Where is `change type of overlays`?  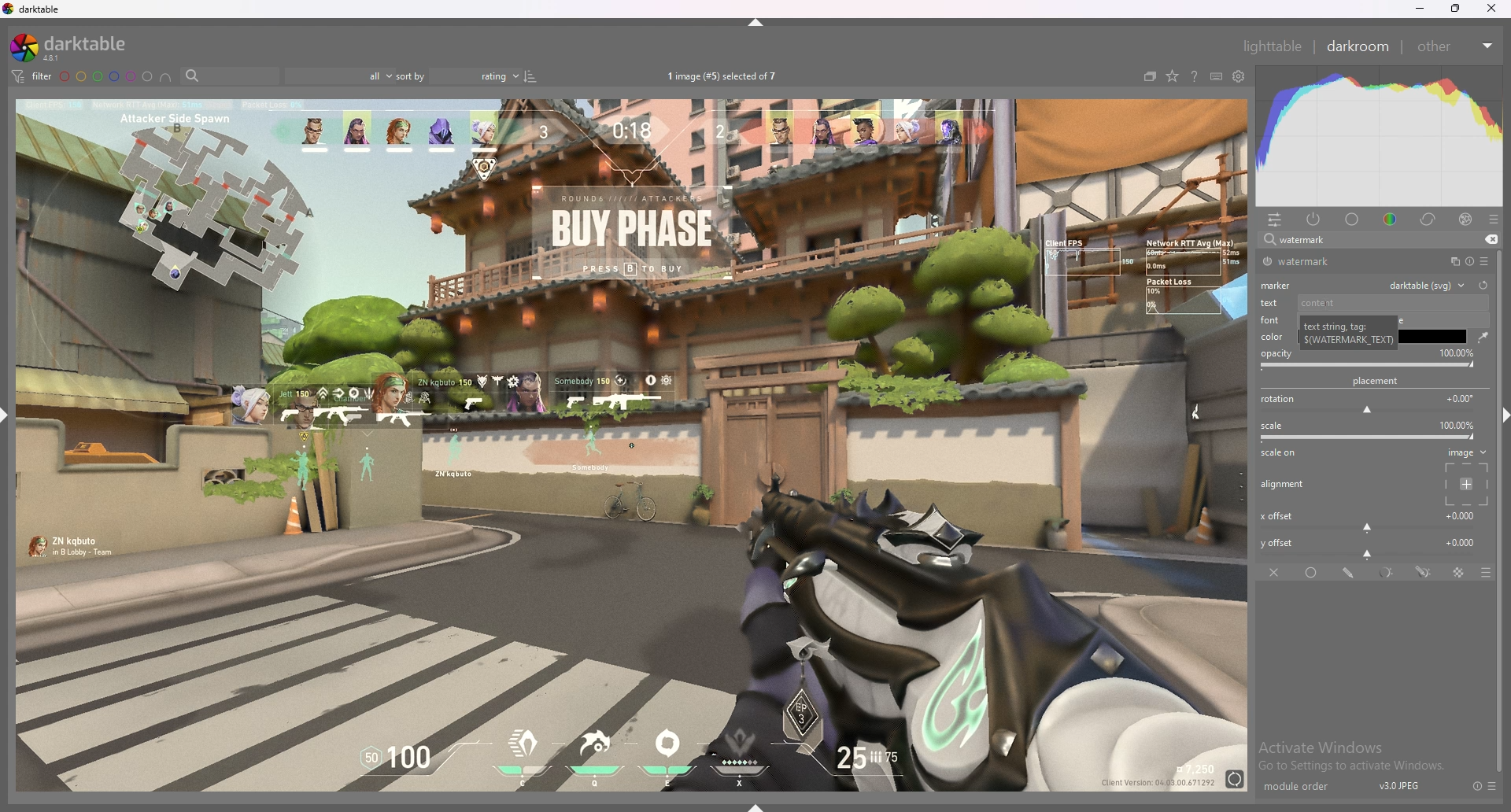
change type of overlays is located at coordinates (1172, 77).